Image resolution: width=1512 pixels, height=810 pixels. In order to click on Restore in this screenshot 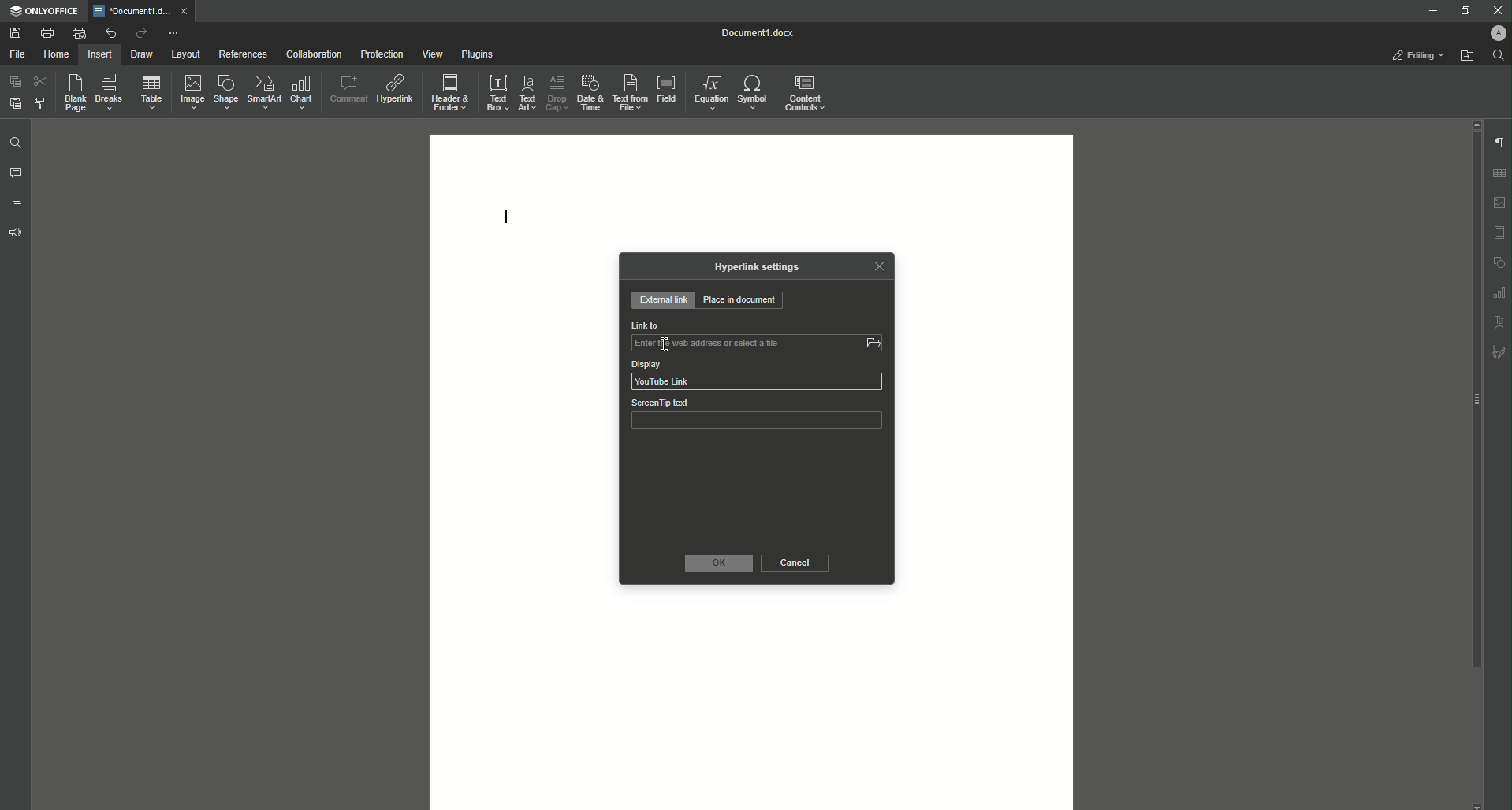, I will do `click(1463, 12)`.